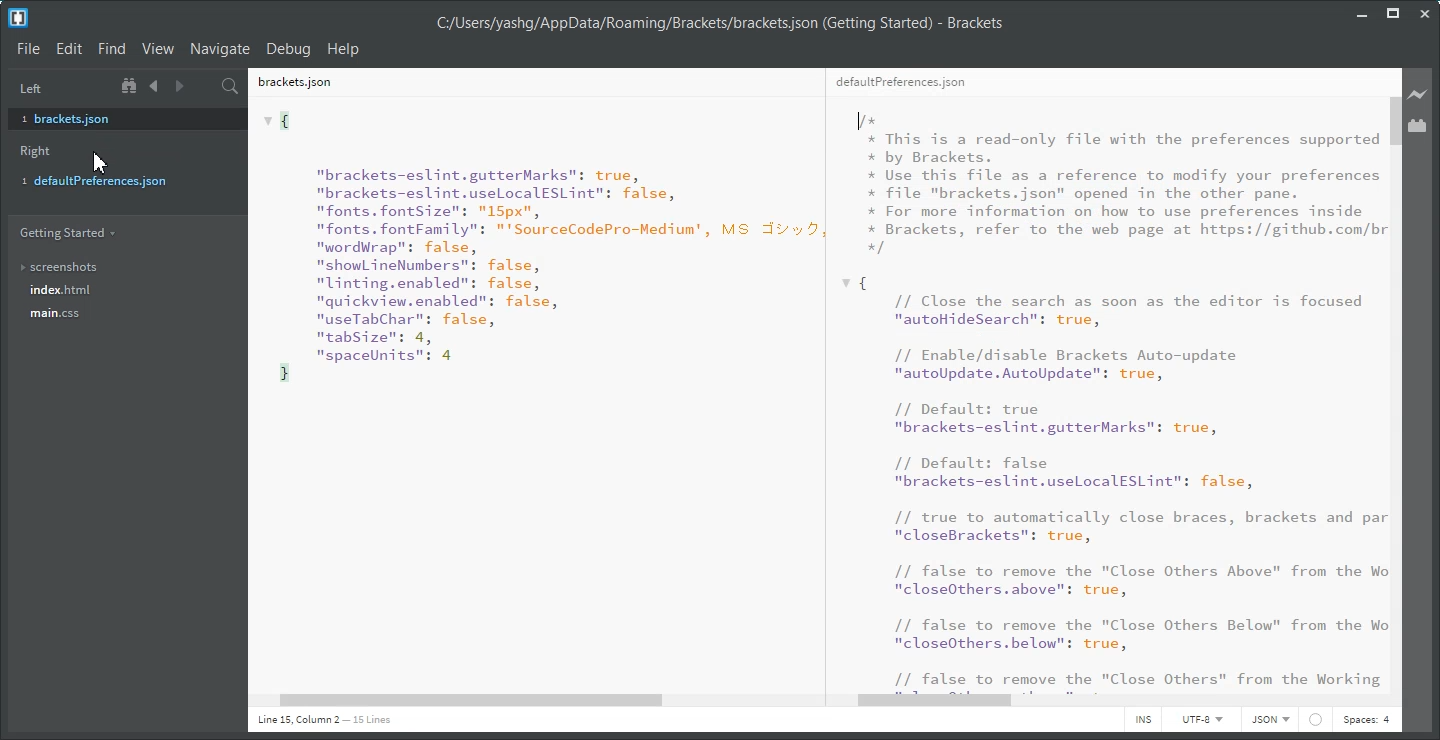 The image size is (1440, 740). What do you see at coordinates (230, 86) in the screenshot?
I see `Find in File` at bounding box center [230, 86].